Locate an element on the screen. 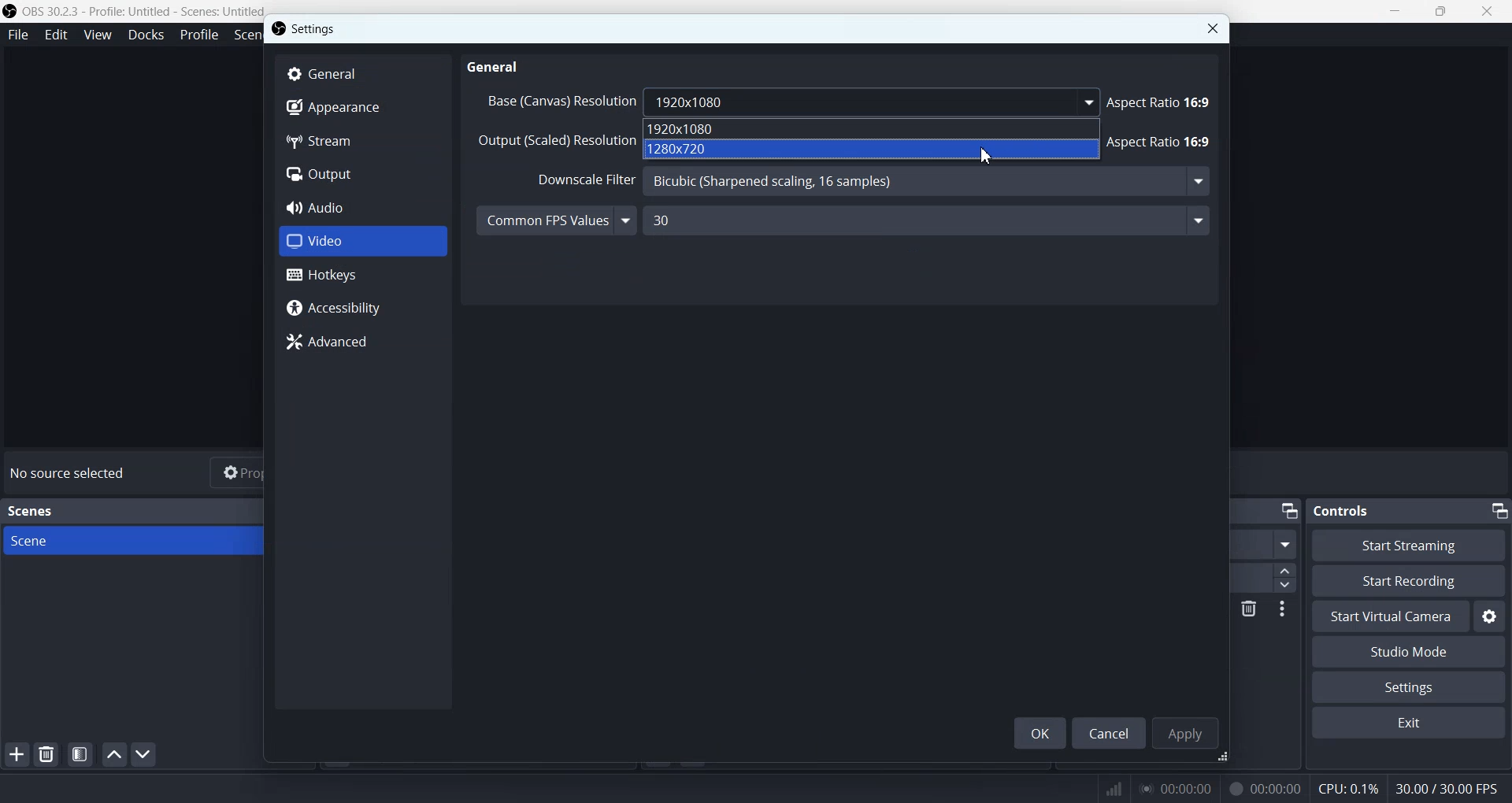  1920x1080 is located at coordinates (873, 128).